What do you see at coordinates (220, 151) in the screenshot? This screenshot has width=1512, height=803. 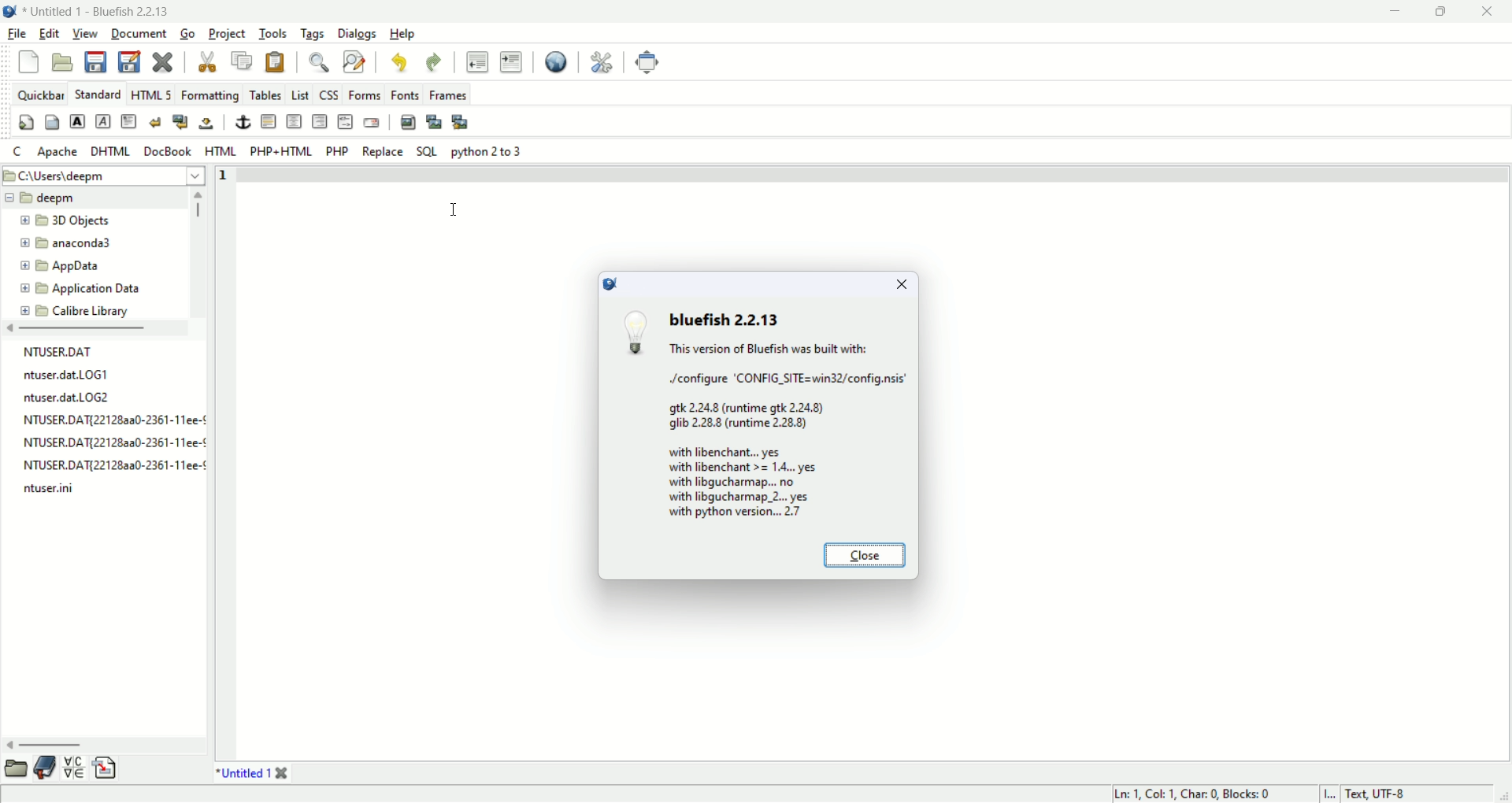 I see `HTML` at bounding box center [220, 151].